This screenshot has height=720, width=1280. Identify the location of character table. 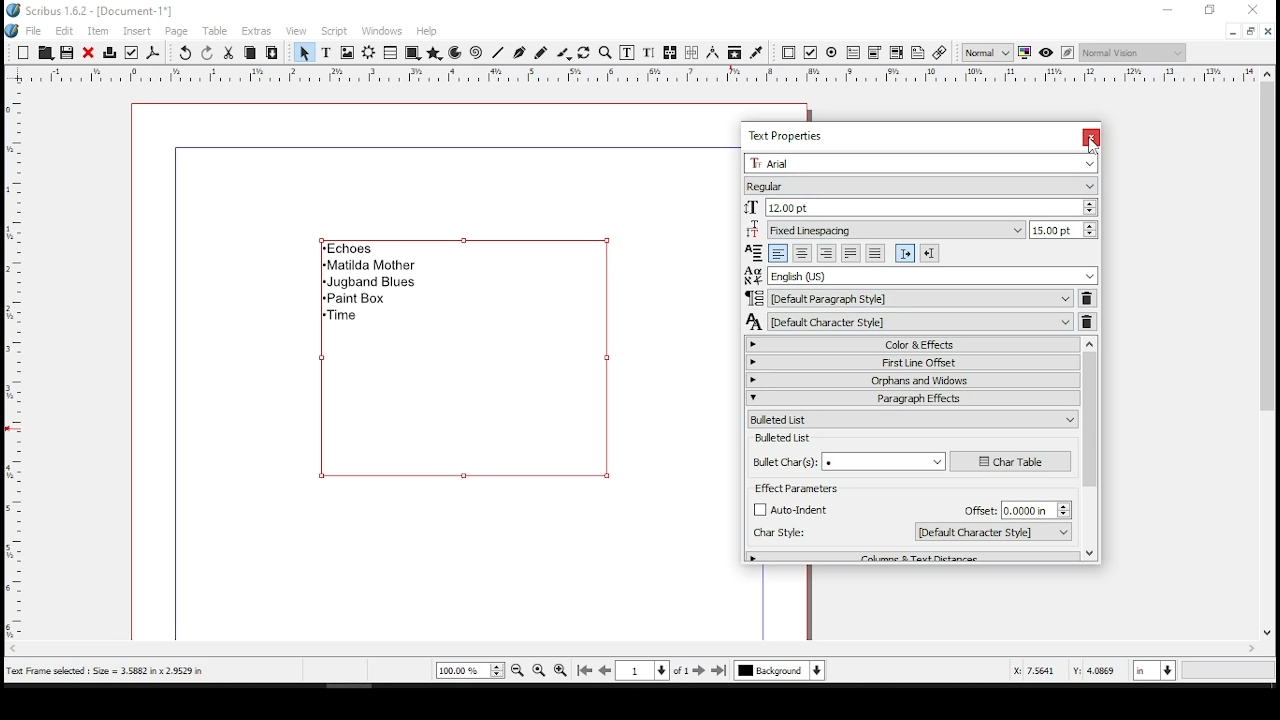
(1010, 461).